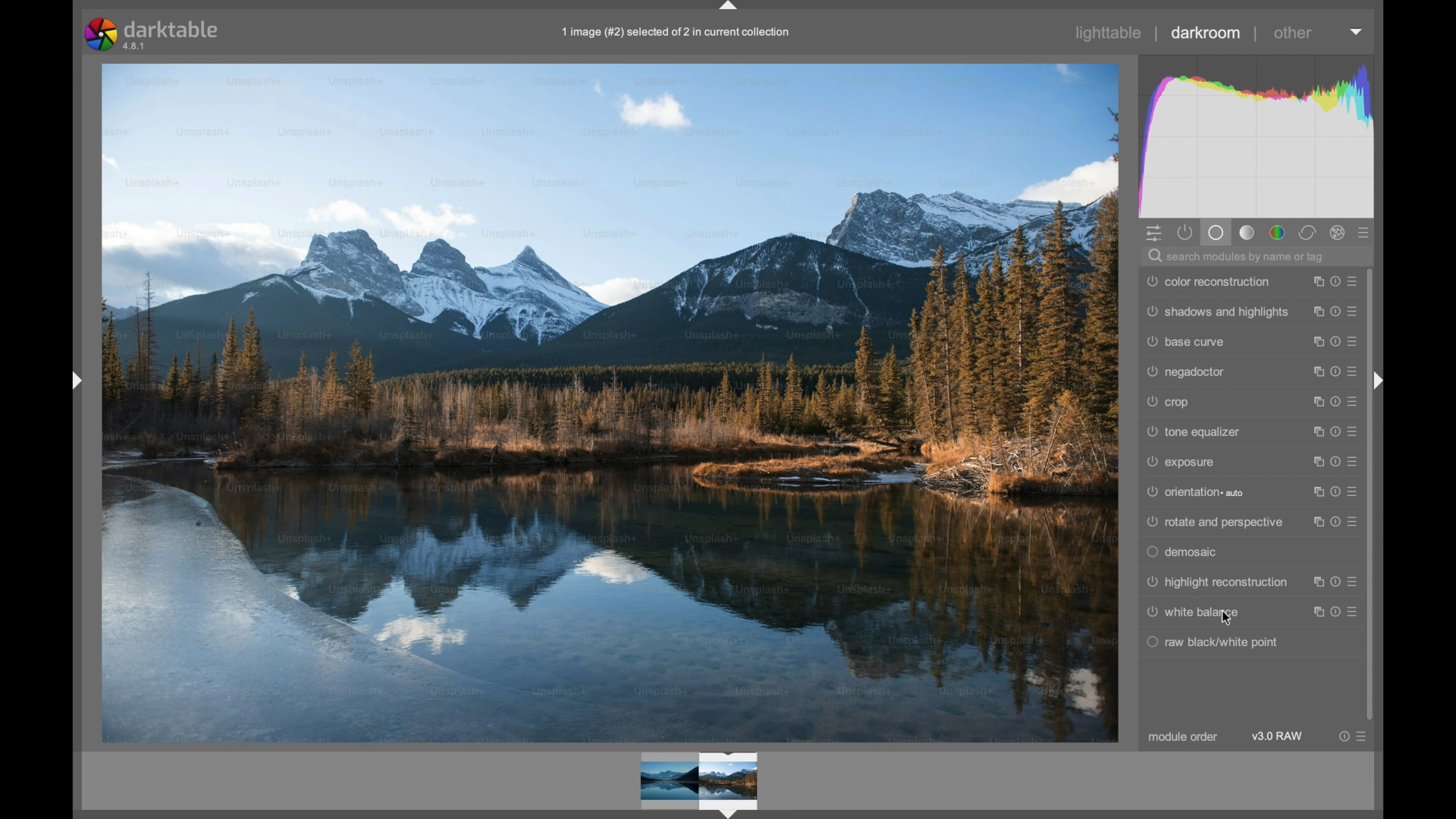 The image size is (1456, 819). I want to click on reset parameter, so click(1344, 736).